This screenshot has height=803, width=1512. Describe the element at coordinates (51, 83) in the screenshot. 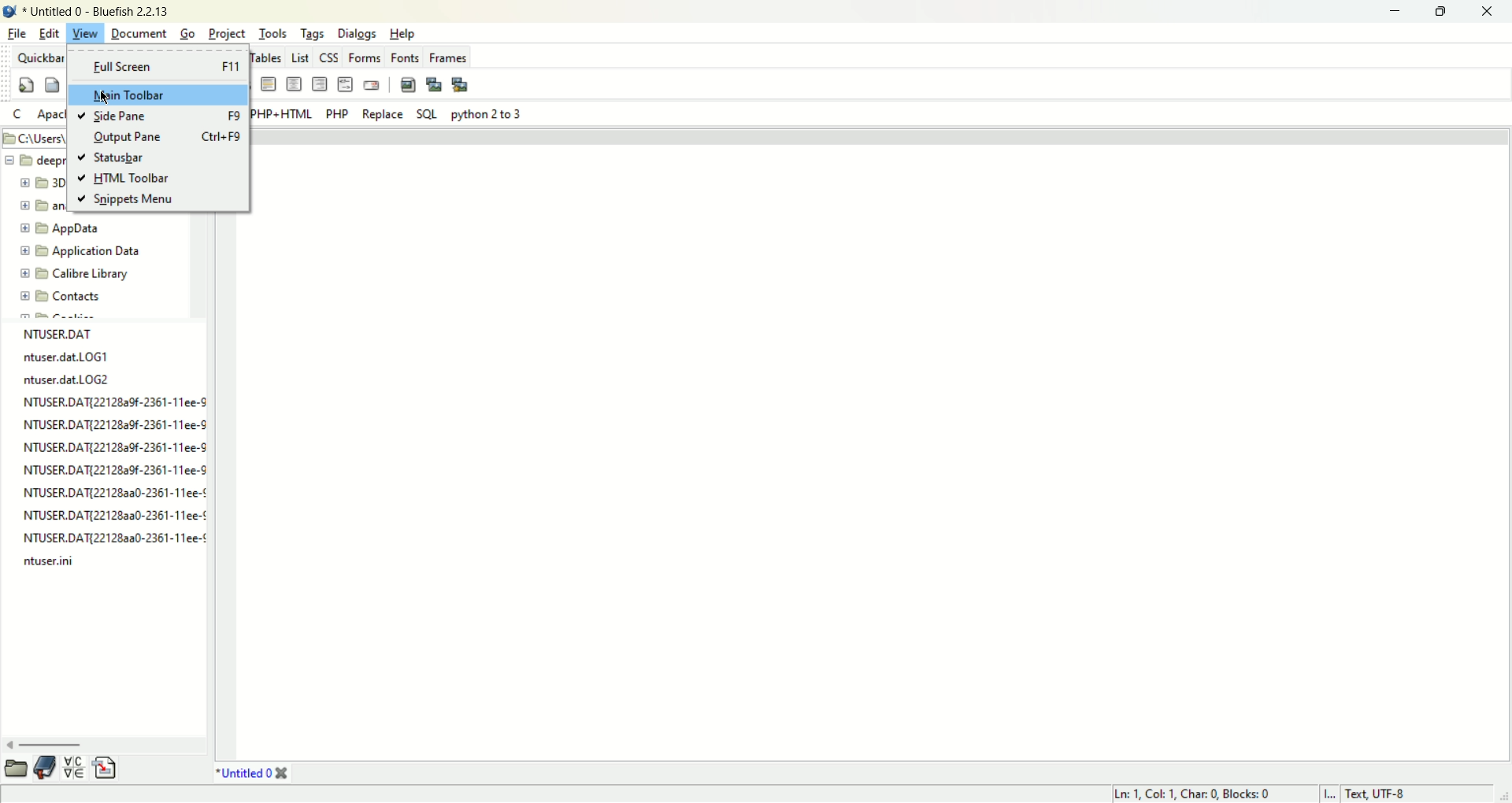

I see `body` at that location.